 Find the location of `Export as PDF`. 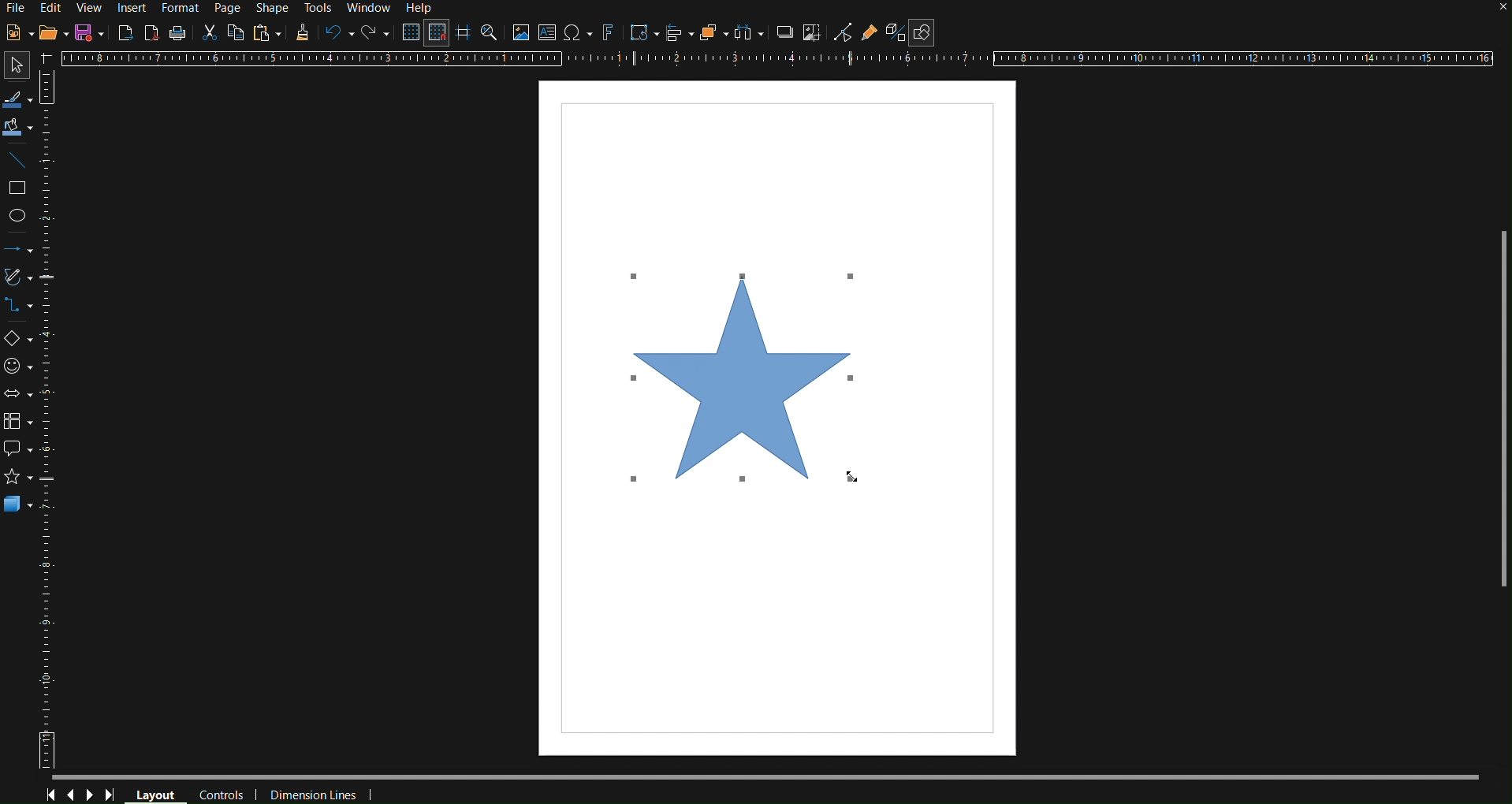

Export as PDF is located at coordinates (152, 32).